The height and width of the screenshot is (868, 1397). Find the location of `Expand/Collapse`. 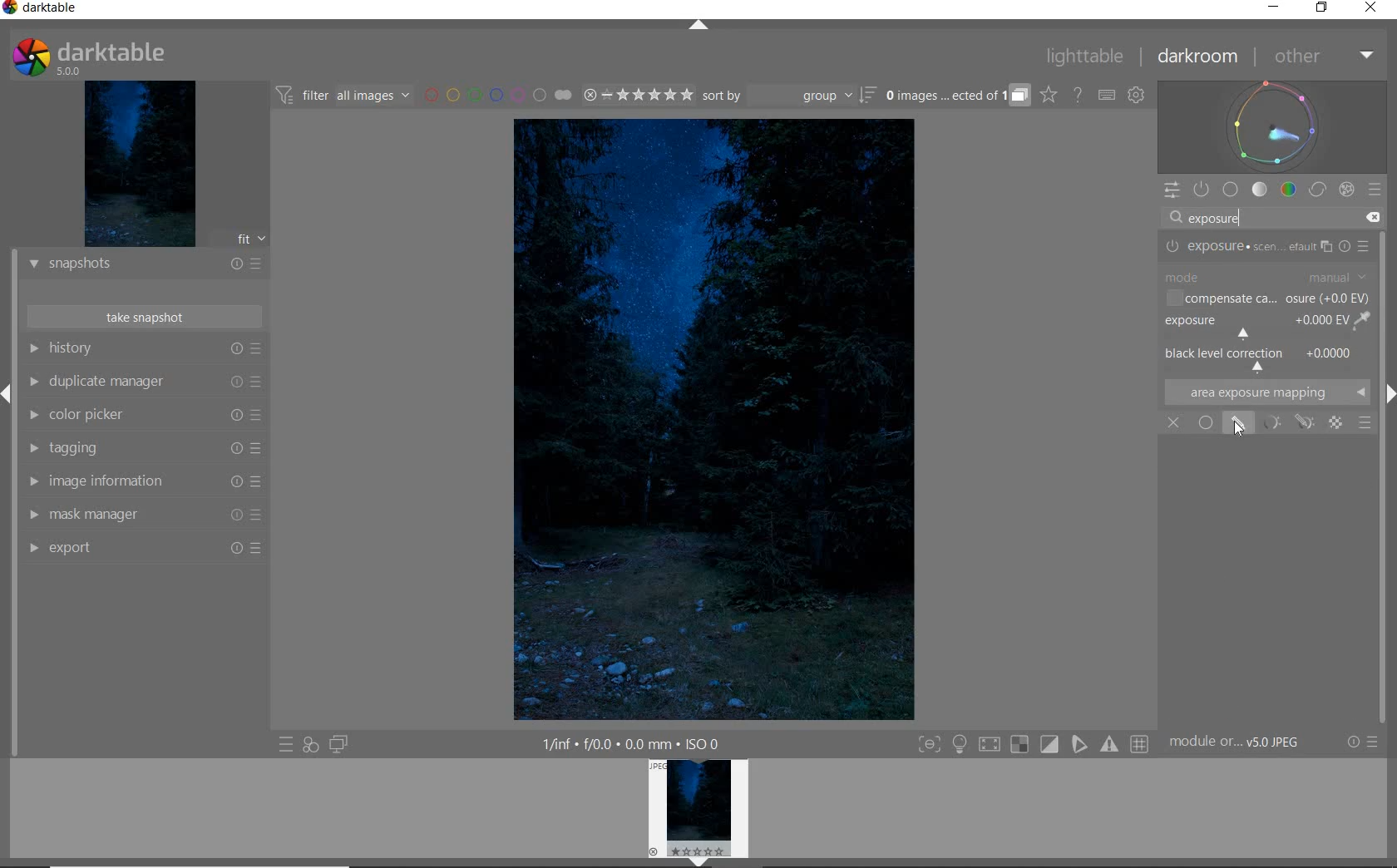

Expand/Collapse is located at coordinates (1388, 391).